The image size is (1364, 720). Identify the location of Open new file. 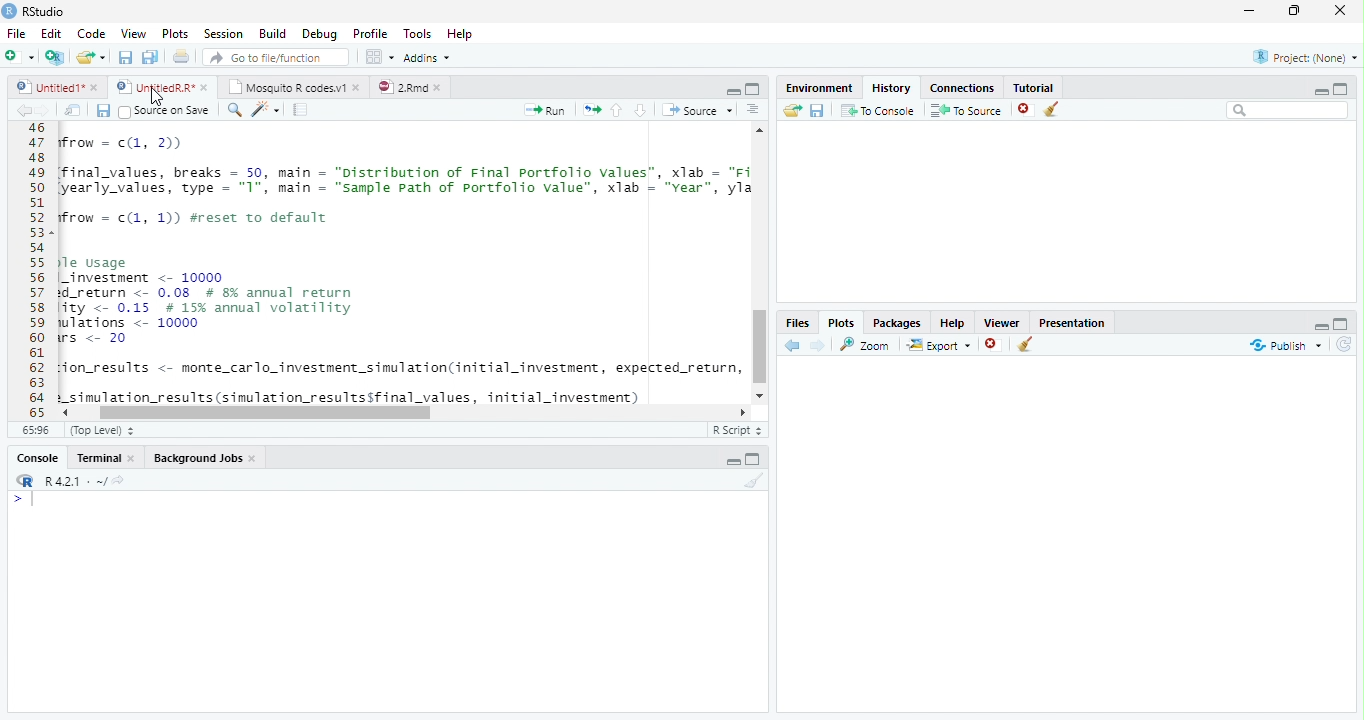
(19, 56).